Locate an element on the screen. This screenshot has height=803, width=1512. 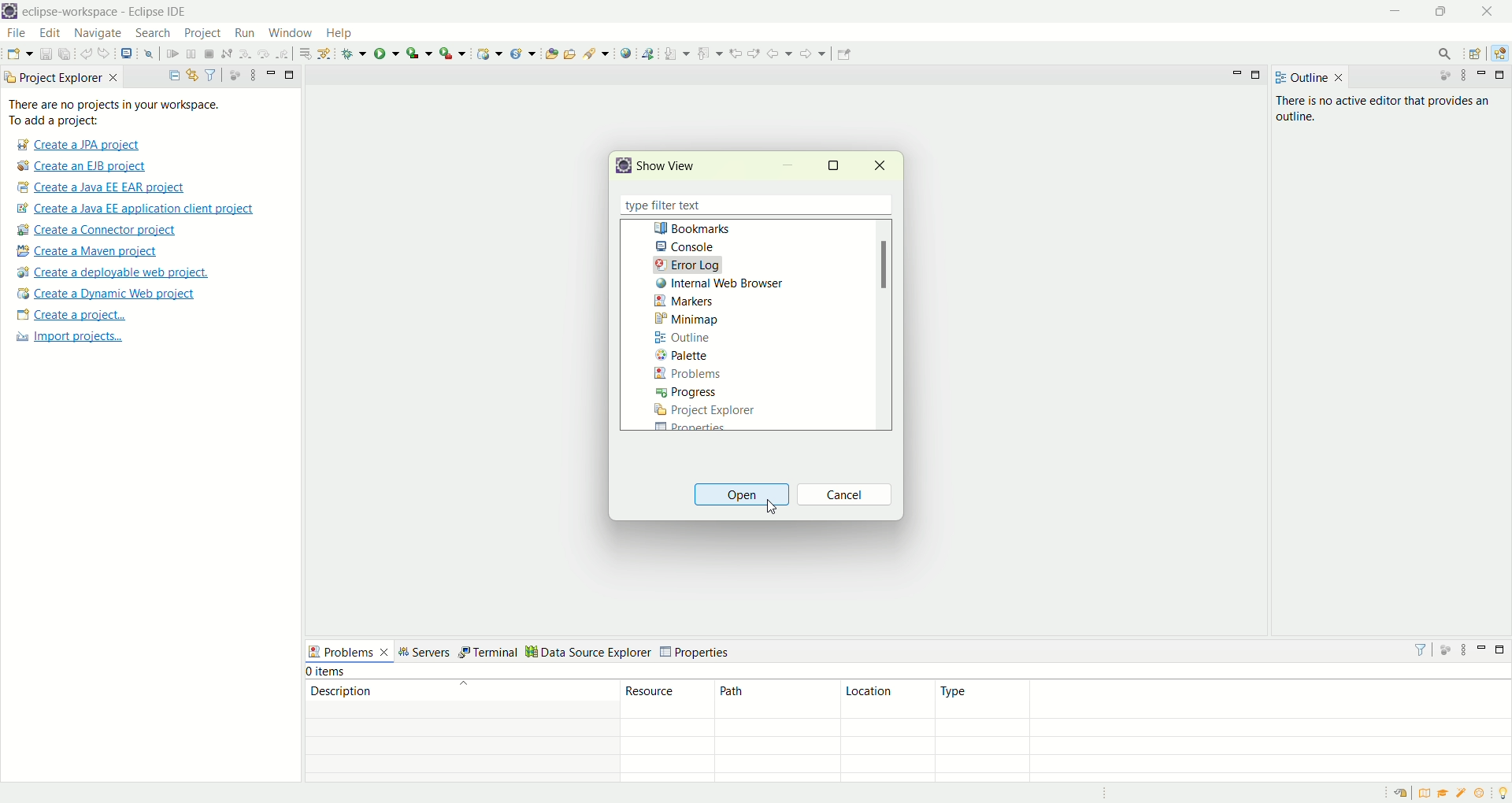
items is located at coordinates (328, 672).